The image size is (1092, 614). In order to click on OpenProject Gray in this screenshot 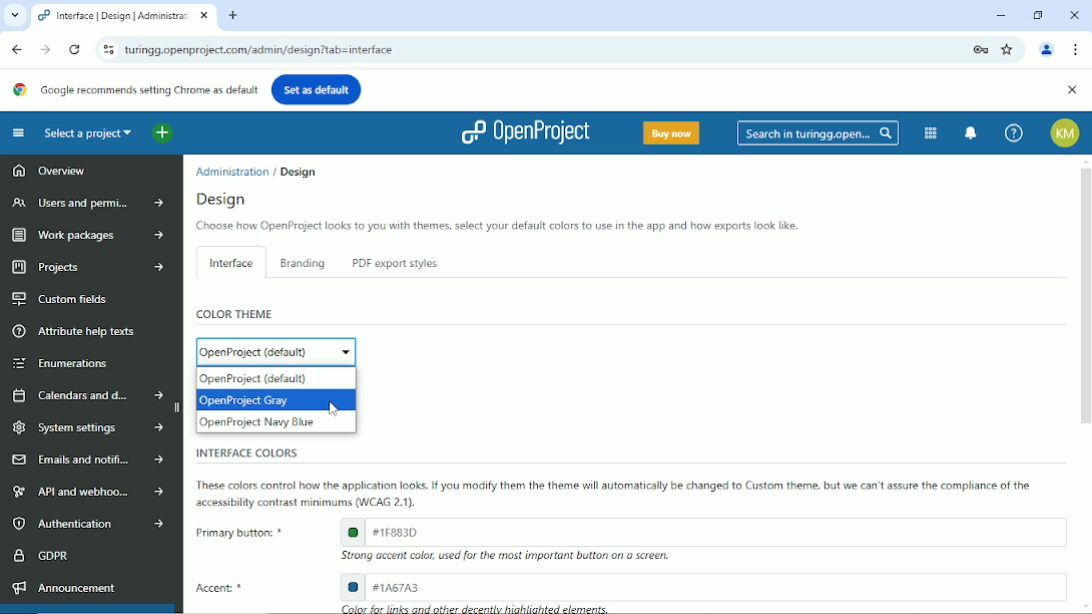, I will do `click(275, 401)`.